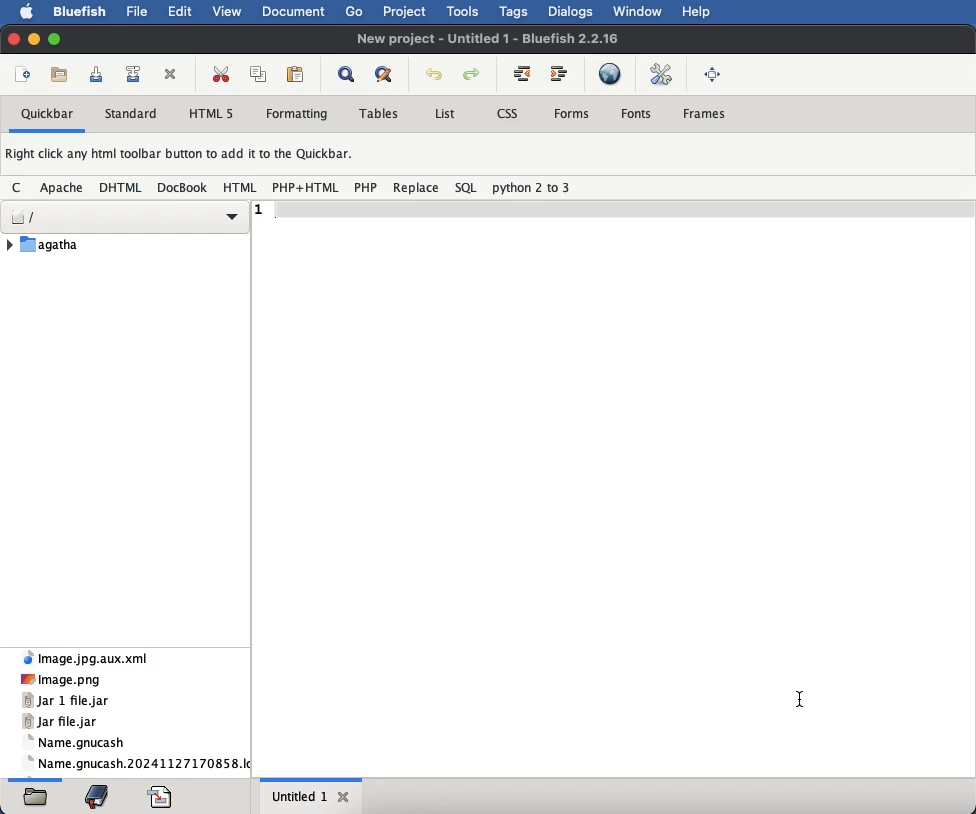 This screenshot has width=976, height=814. I want to click on unindent, so click(523, 73).